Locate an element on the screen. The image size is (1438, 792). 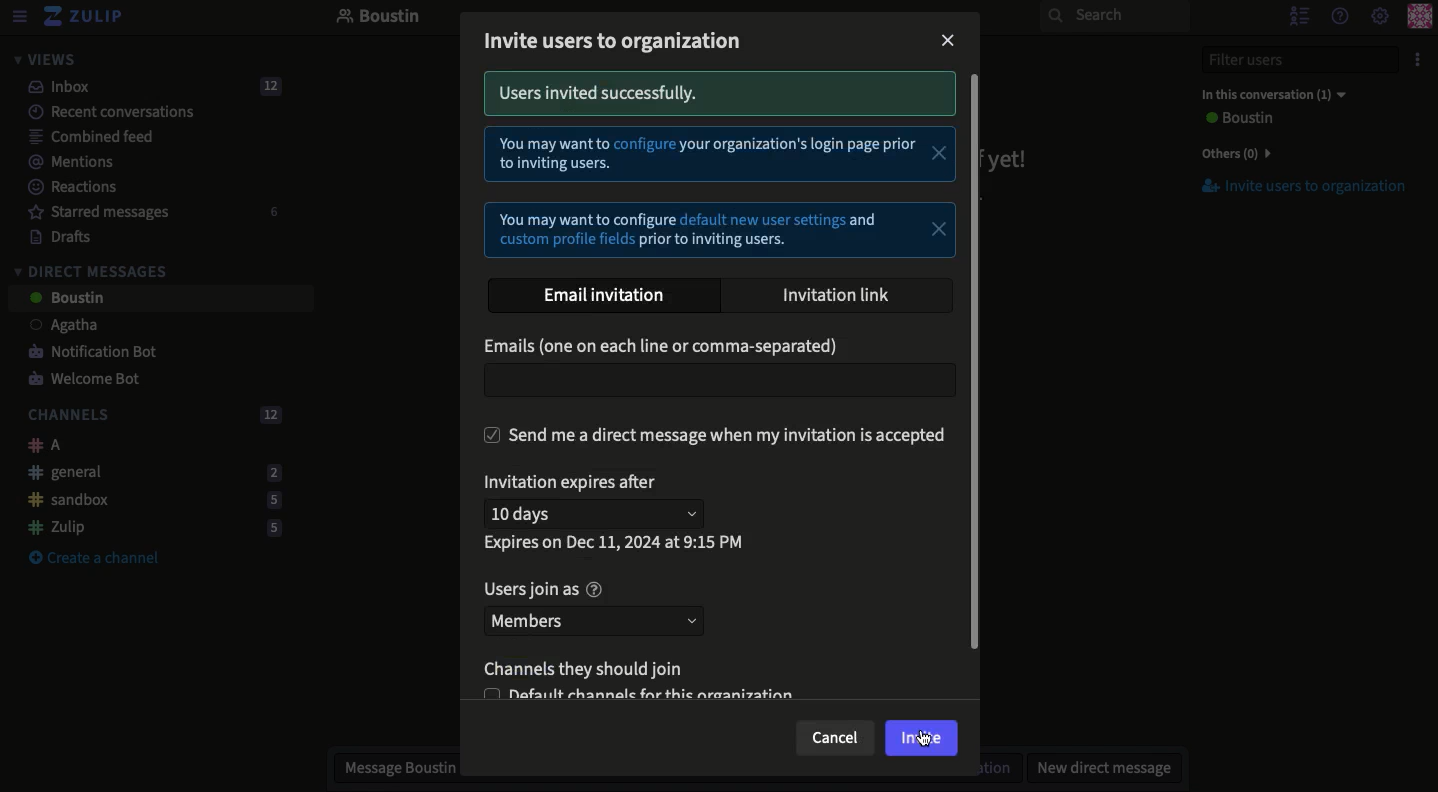
Others is located at coordinates (1232, 153).